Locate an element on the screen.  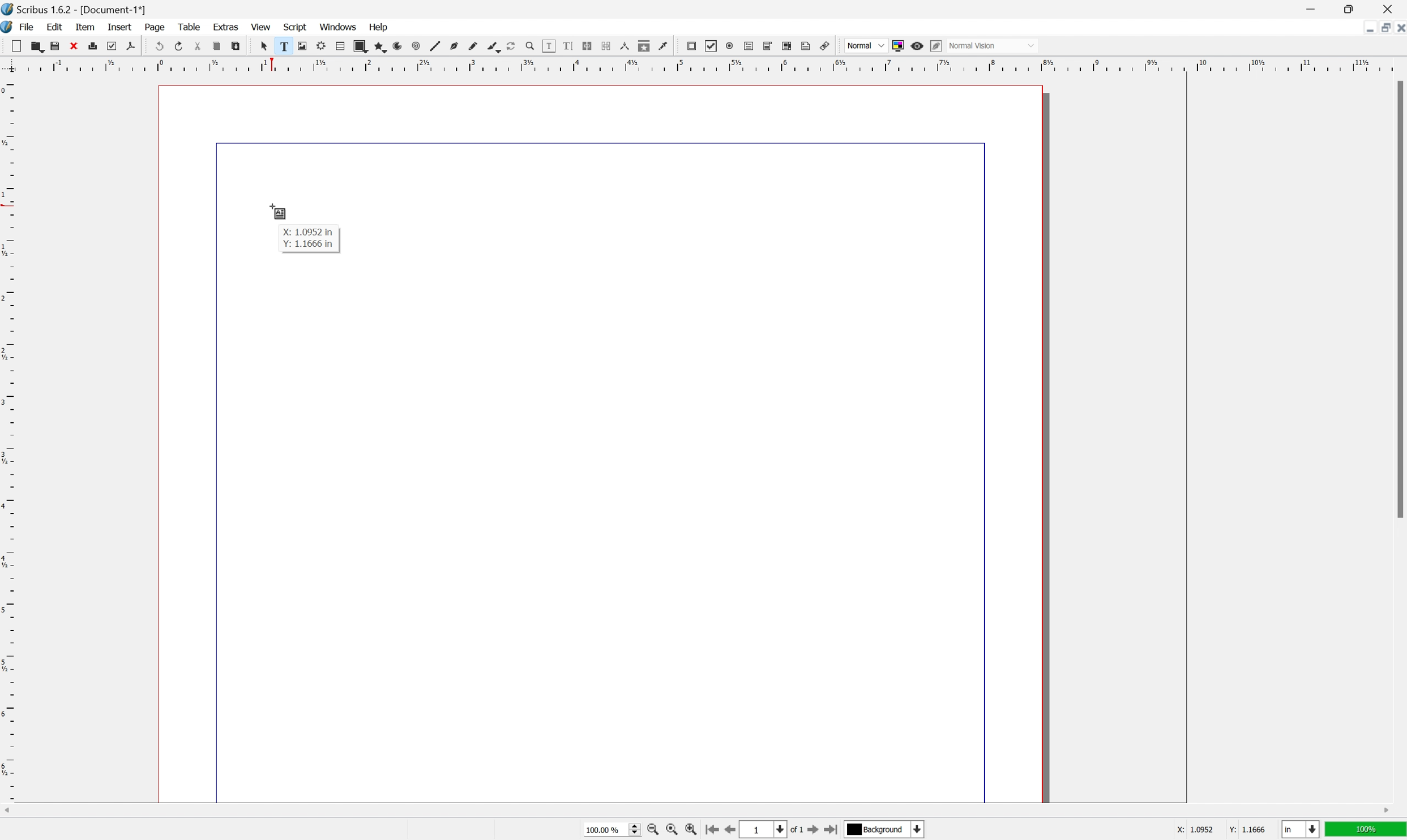
link text frames is located at coordinates (587, 45).